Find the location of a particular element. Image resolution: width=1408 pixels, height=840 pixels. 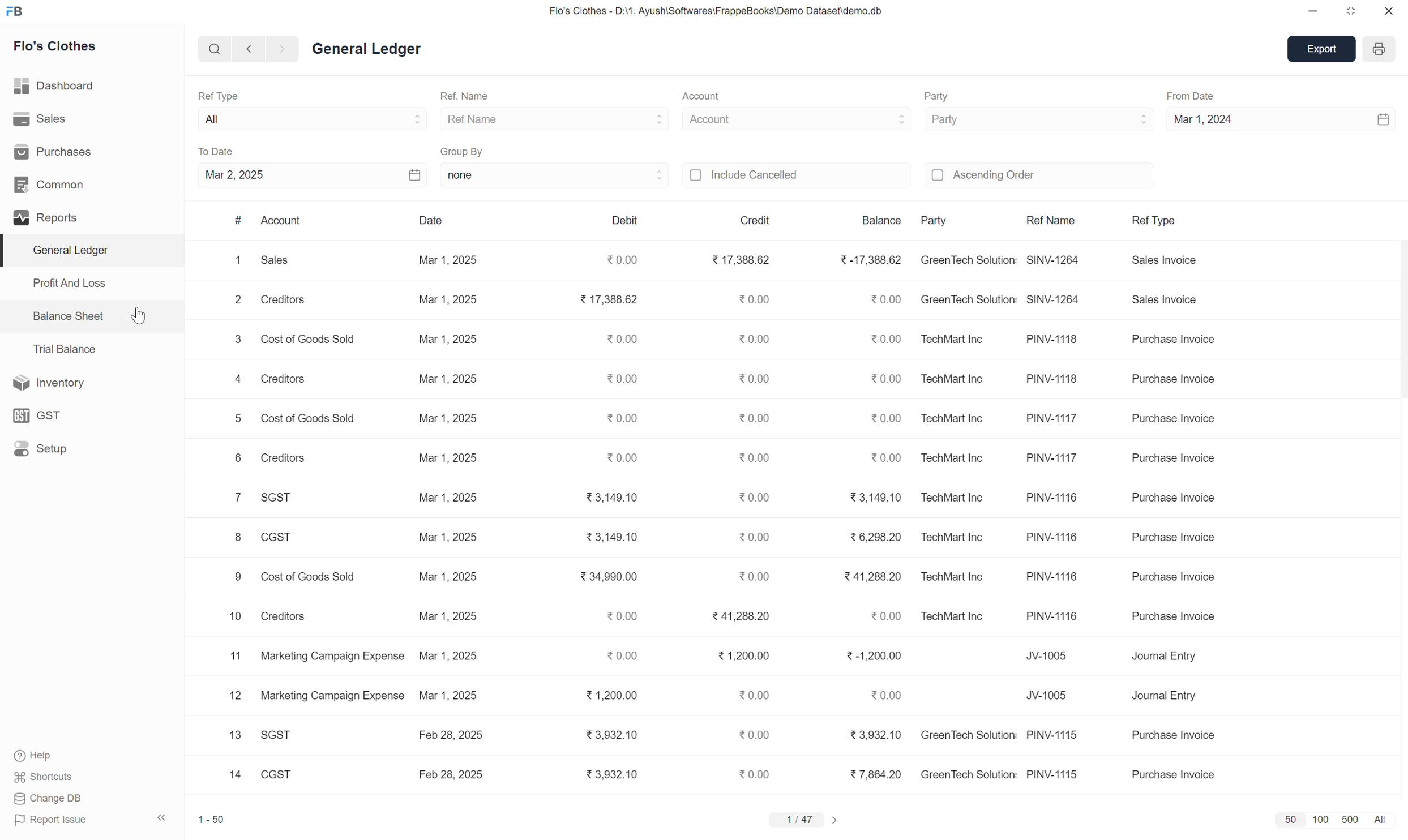

PNW 1115 is located at coordinates (1054, 735).